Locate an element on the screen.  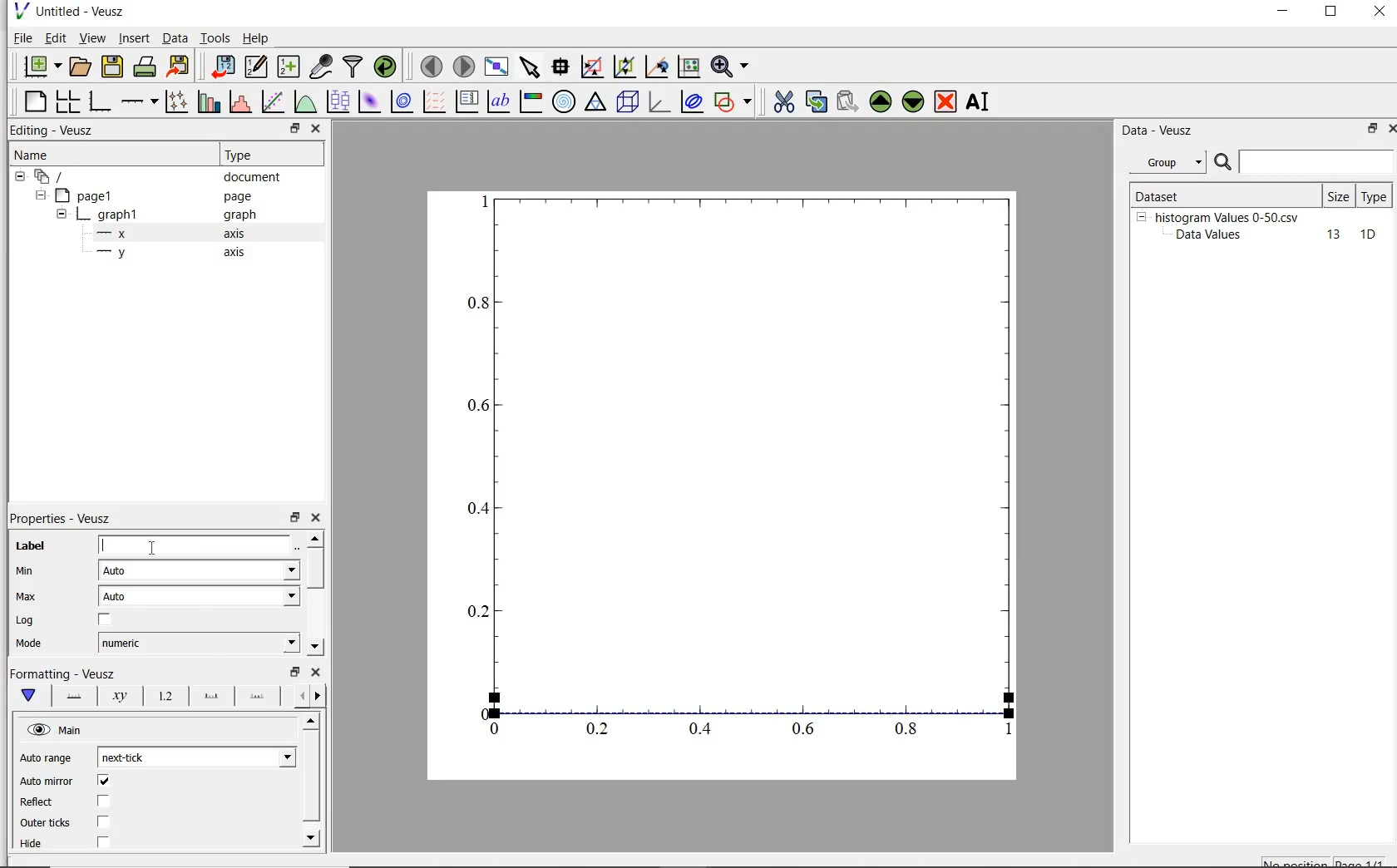
x- axis is located at coordinates (115, 235).